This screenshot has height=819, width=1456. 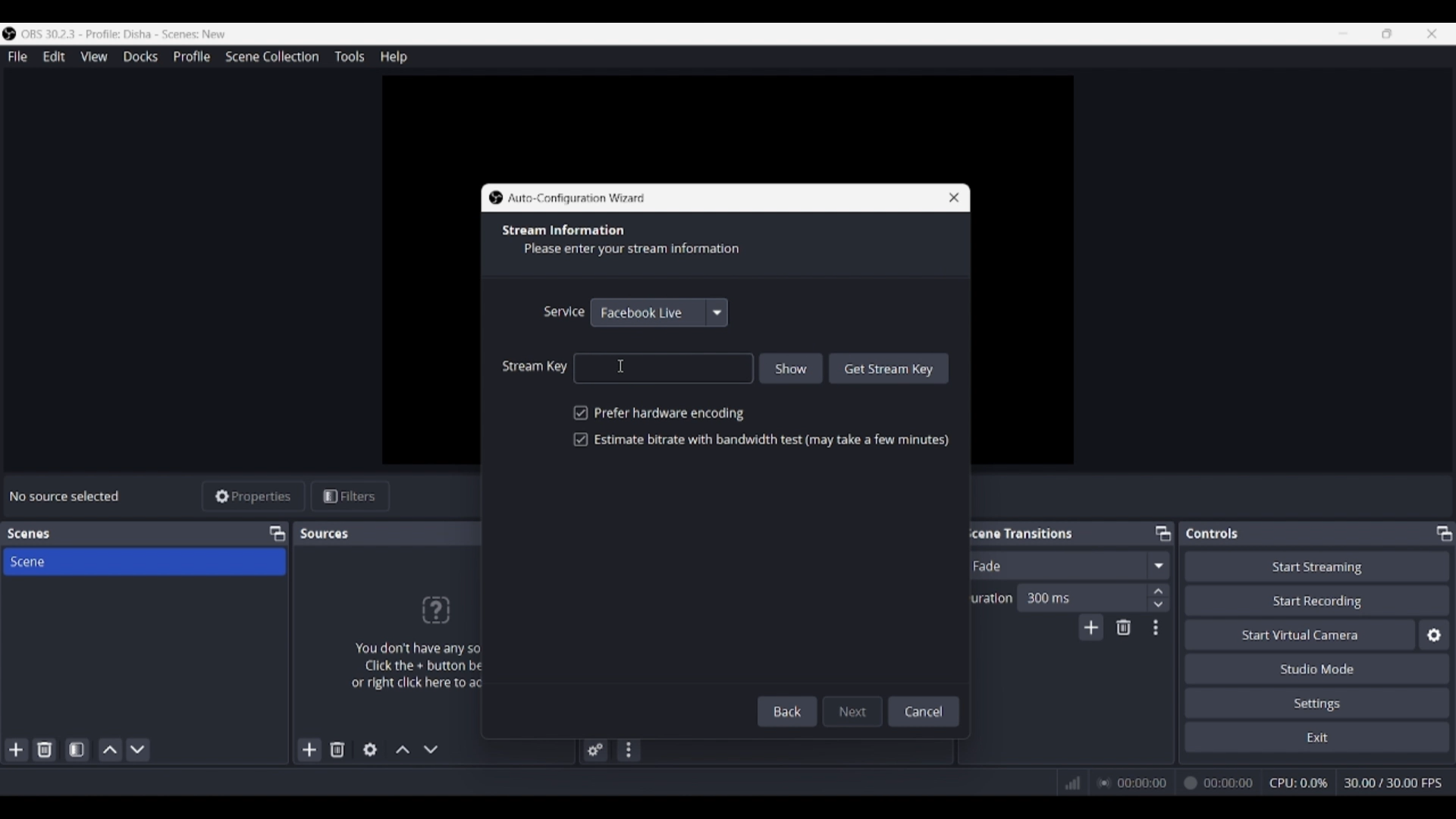 What do you see at coordinates (1081, 597) in the screenshot?
I see `Input duration` at bounding box center [1081, 597].